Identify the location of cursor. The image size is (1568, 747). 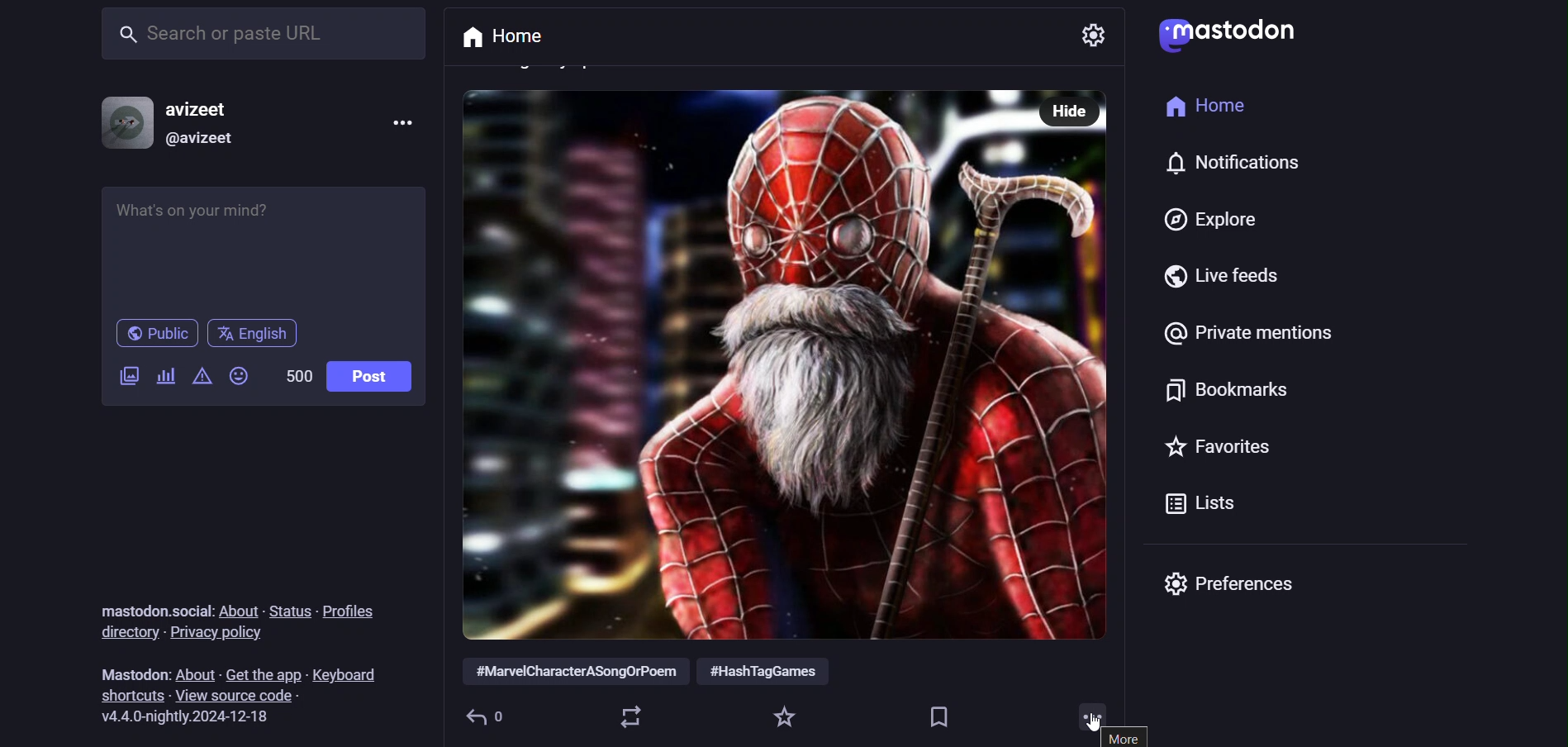
(1095, 726).